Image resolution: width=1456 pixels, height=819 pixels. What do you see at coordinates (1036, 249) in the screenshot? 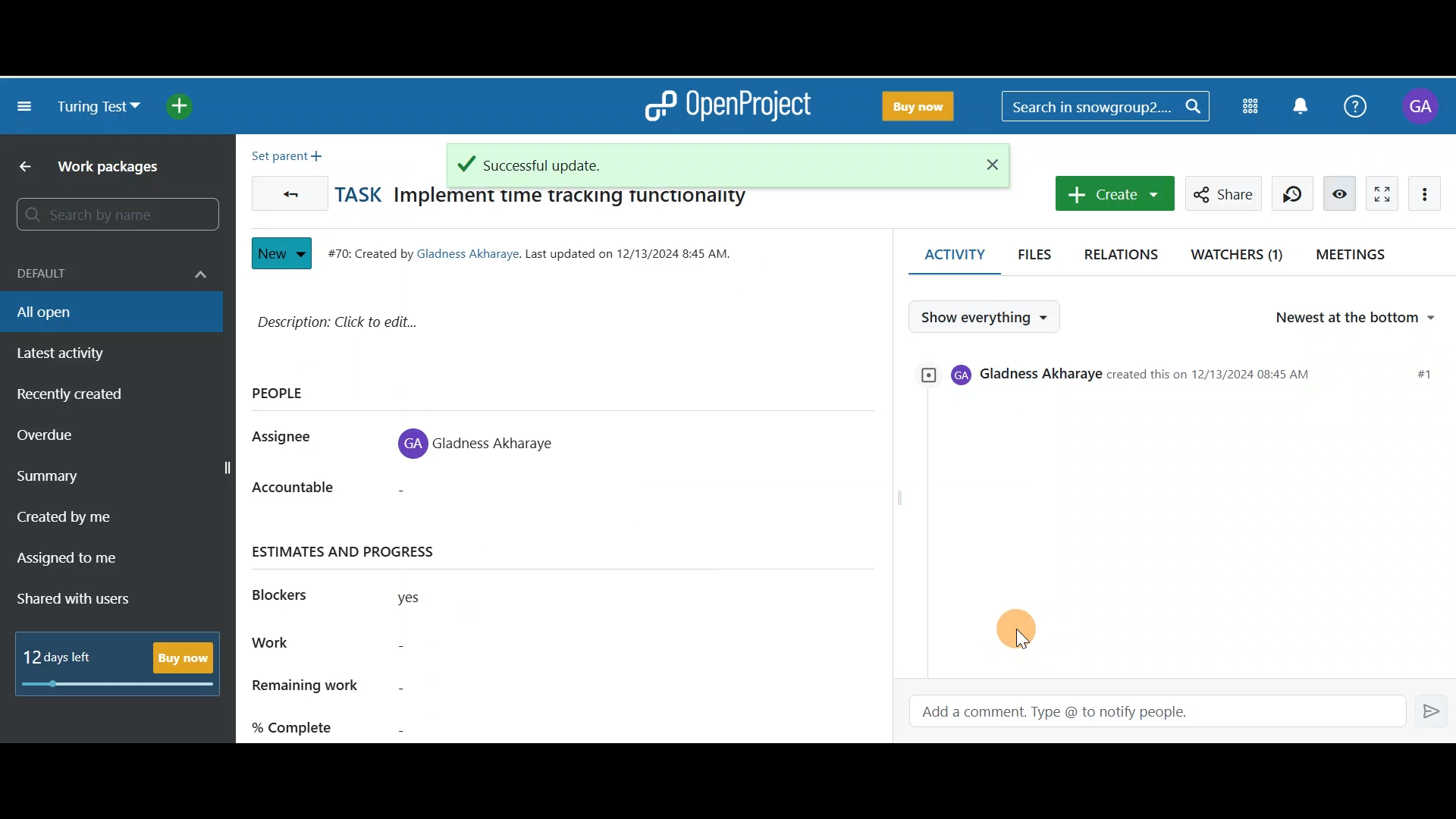
I see `Files` at bounding box center [1036, 249].